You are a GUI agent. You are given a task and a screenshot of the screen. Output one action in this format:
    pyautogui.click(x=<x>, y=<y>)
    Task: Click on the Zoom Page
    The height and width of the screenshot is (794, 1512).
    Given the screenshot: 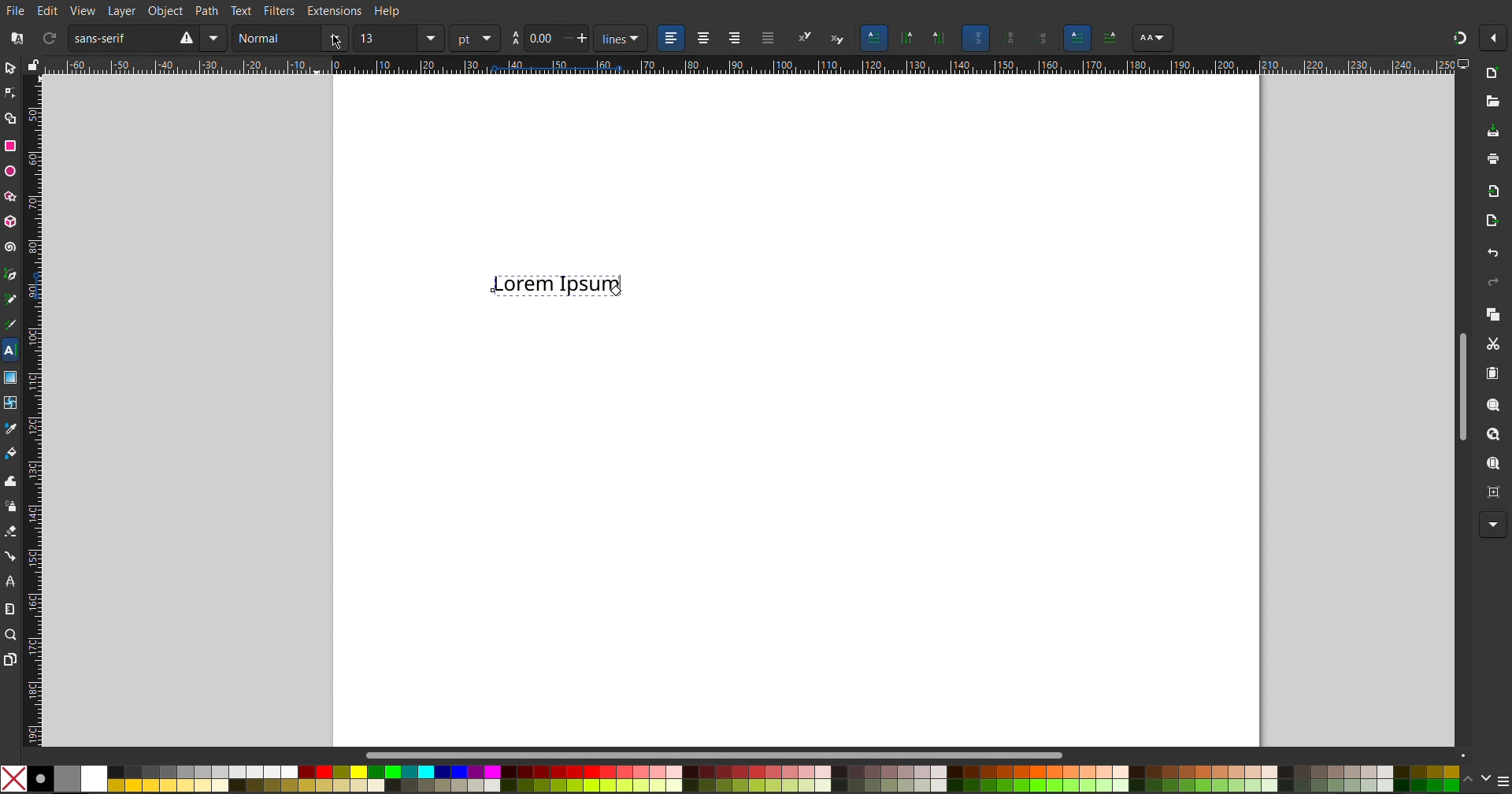 What is the action you would take?
    pyautogui.click(x=1492, y=464)
    